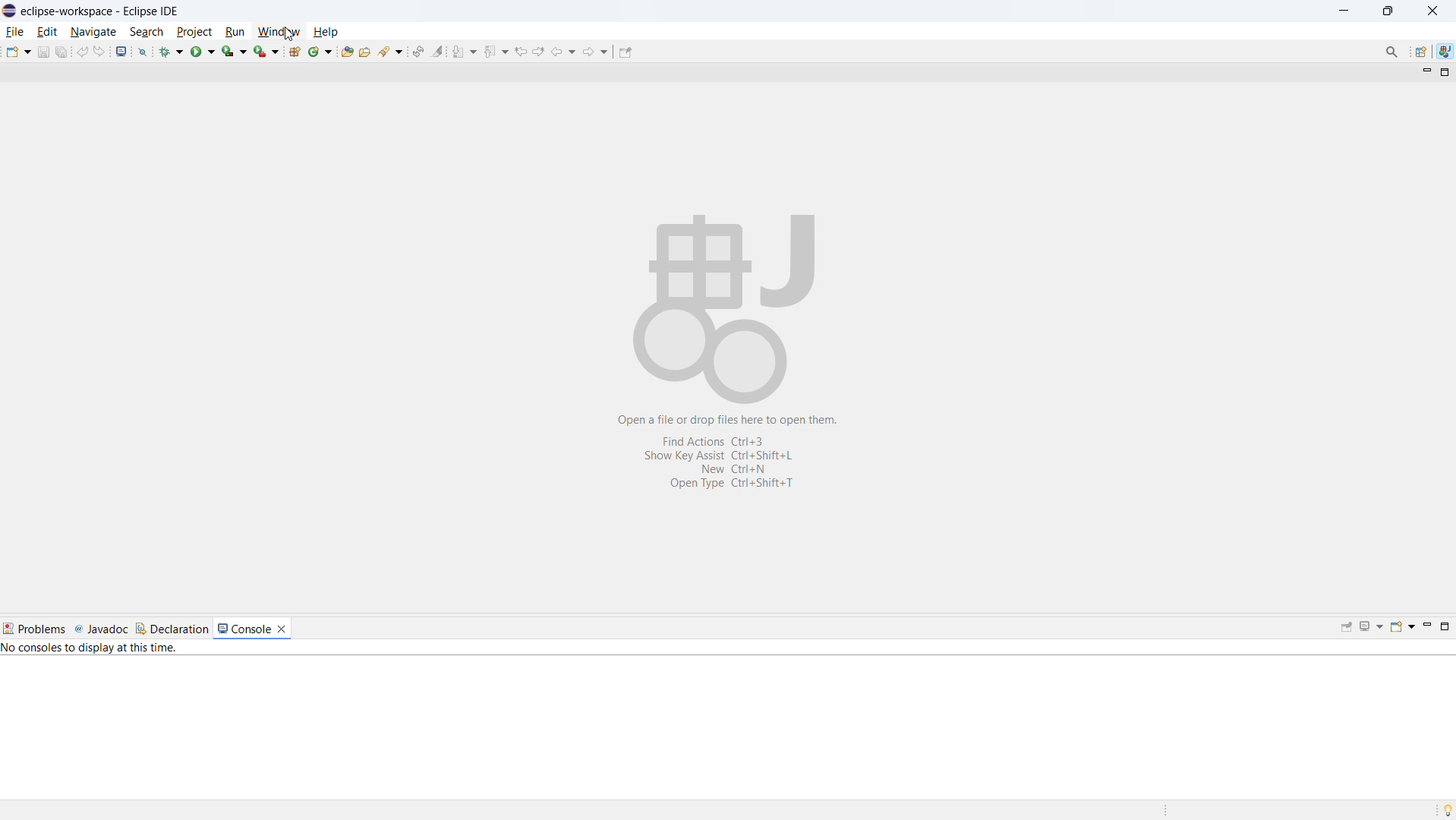 This screenshot has width=1456, height=820. What do you see at coordinates (244, 629) in the screenshot?
I see `console` at bounding box center [244, 629].